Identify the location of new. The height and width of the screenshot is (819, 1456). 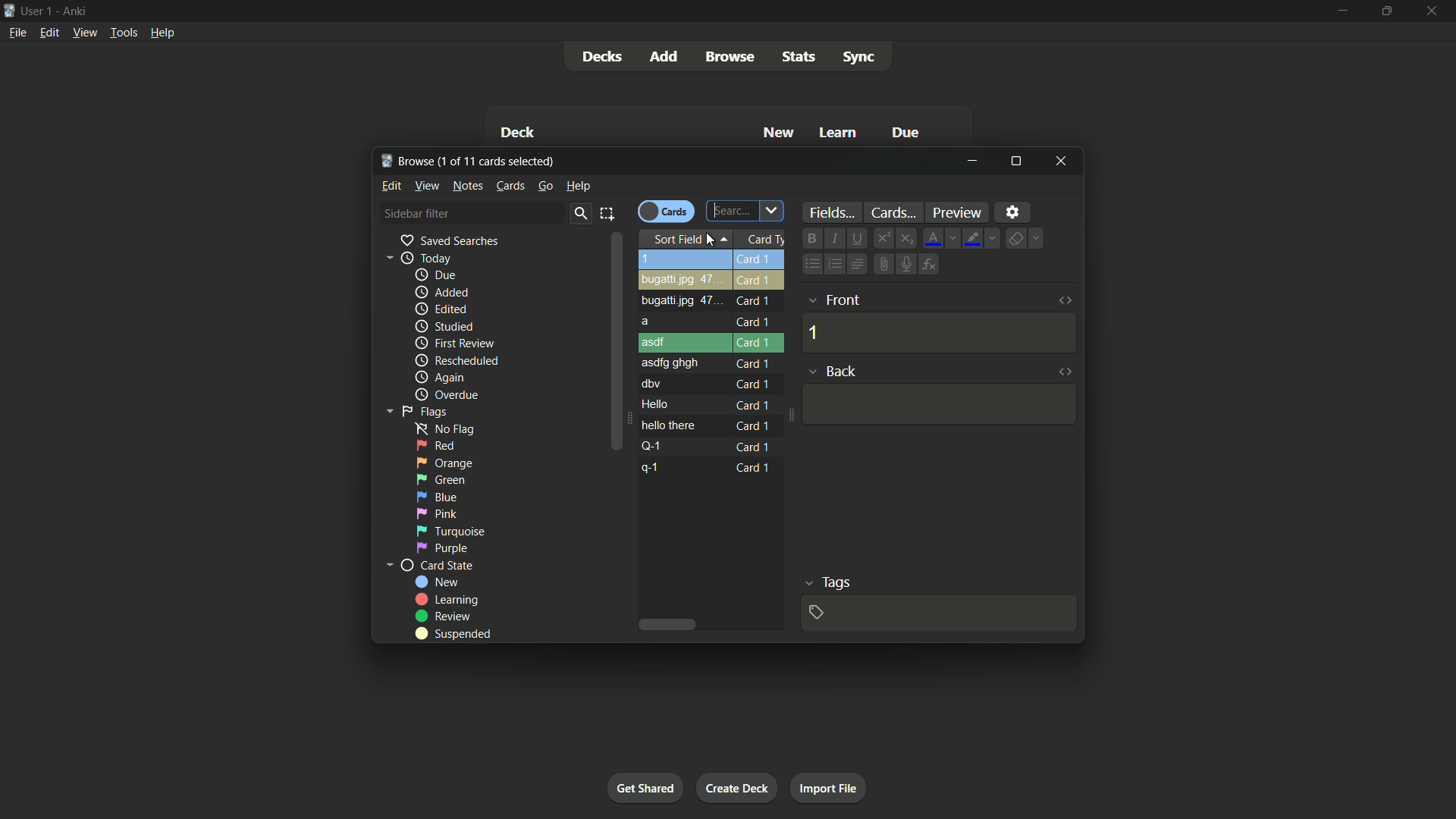
(779, 132).